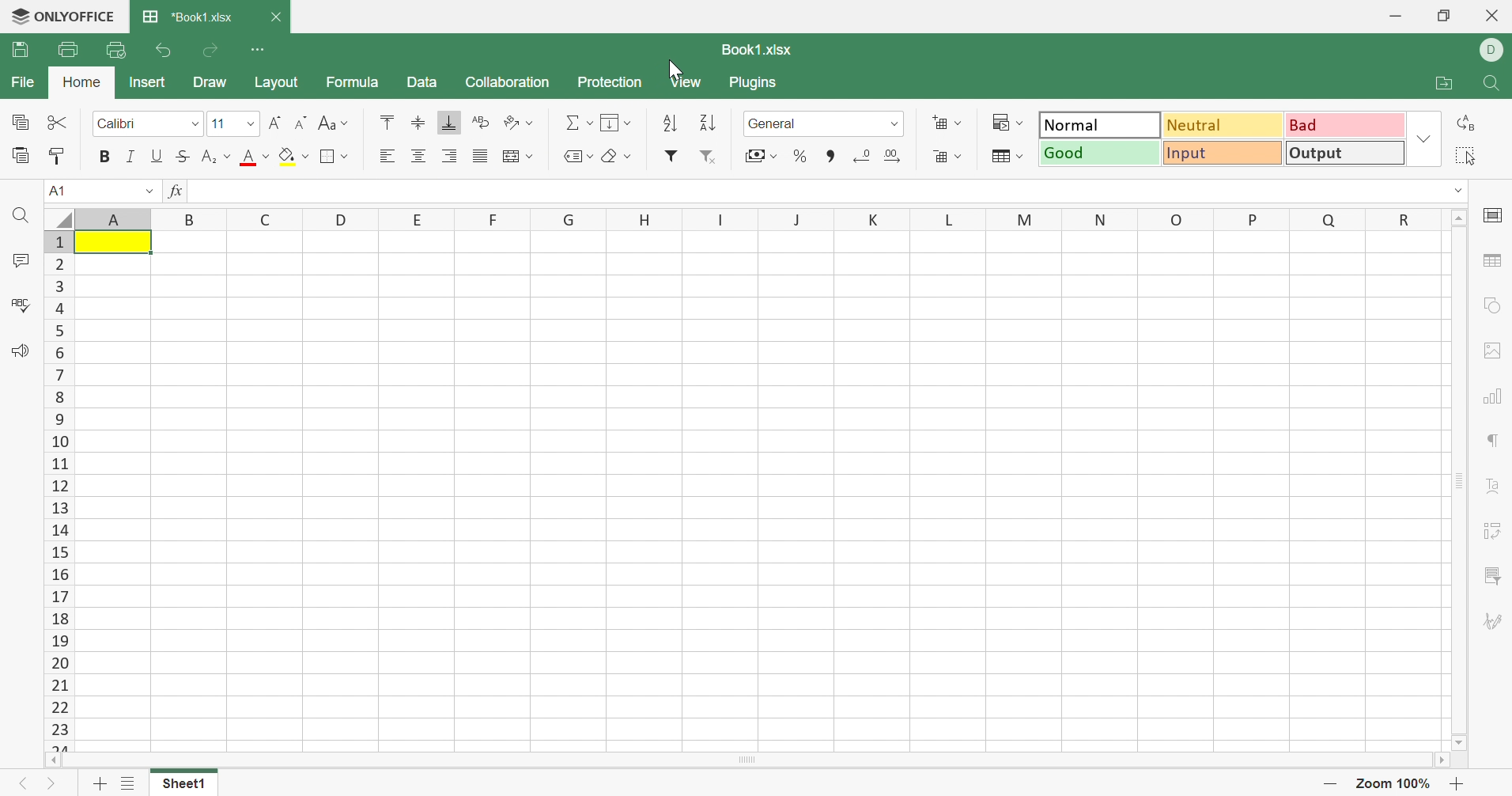 Image resolution: width=1512 pixels, height=796 pixels. I want to click on Comments, so click(18, 260).